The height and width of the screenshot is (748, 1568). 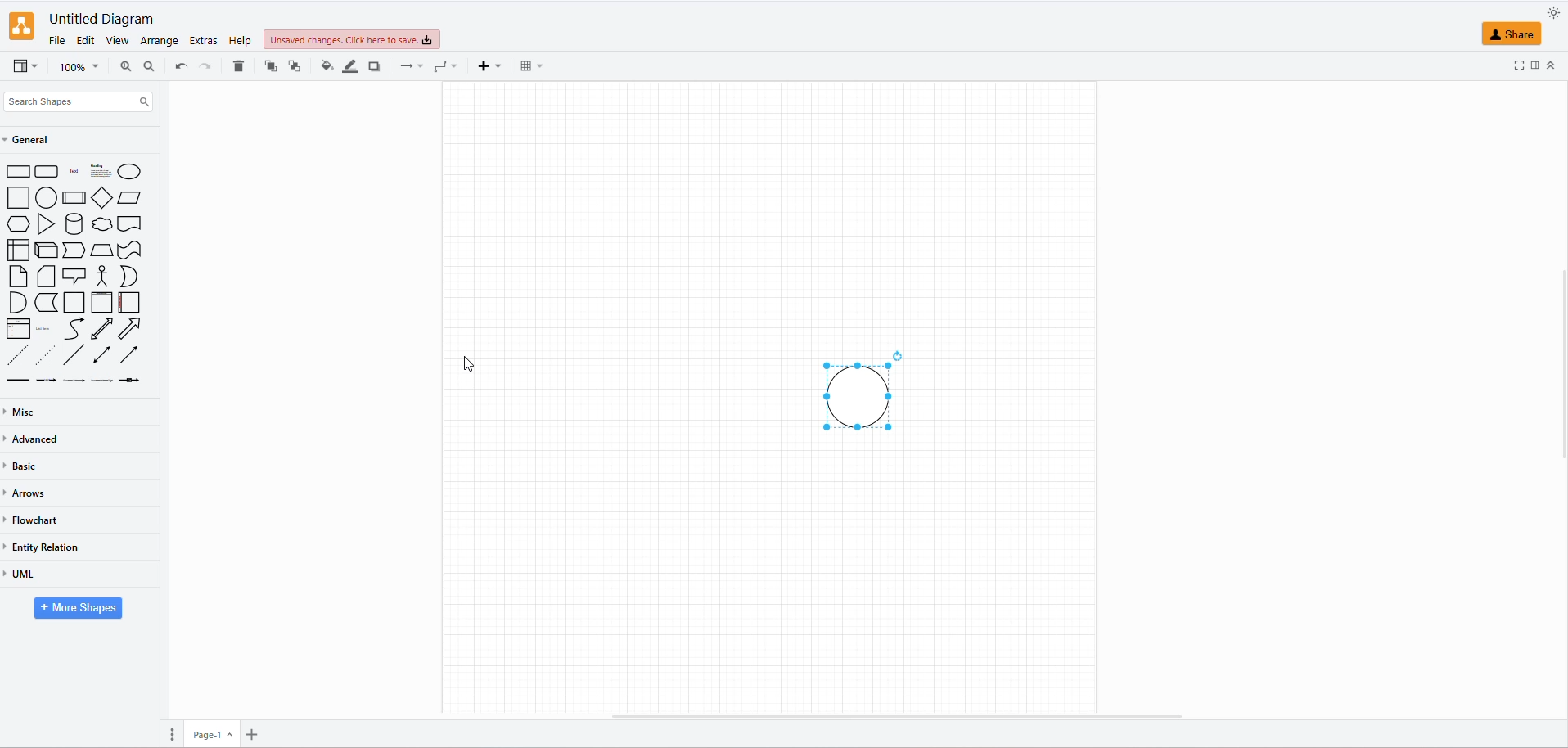 I want to click on PAGE, so click(x=212, y=730).